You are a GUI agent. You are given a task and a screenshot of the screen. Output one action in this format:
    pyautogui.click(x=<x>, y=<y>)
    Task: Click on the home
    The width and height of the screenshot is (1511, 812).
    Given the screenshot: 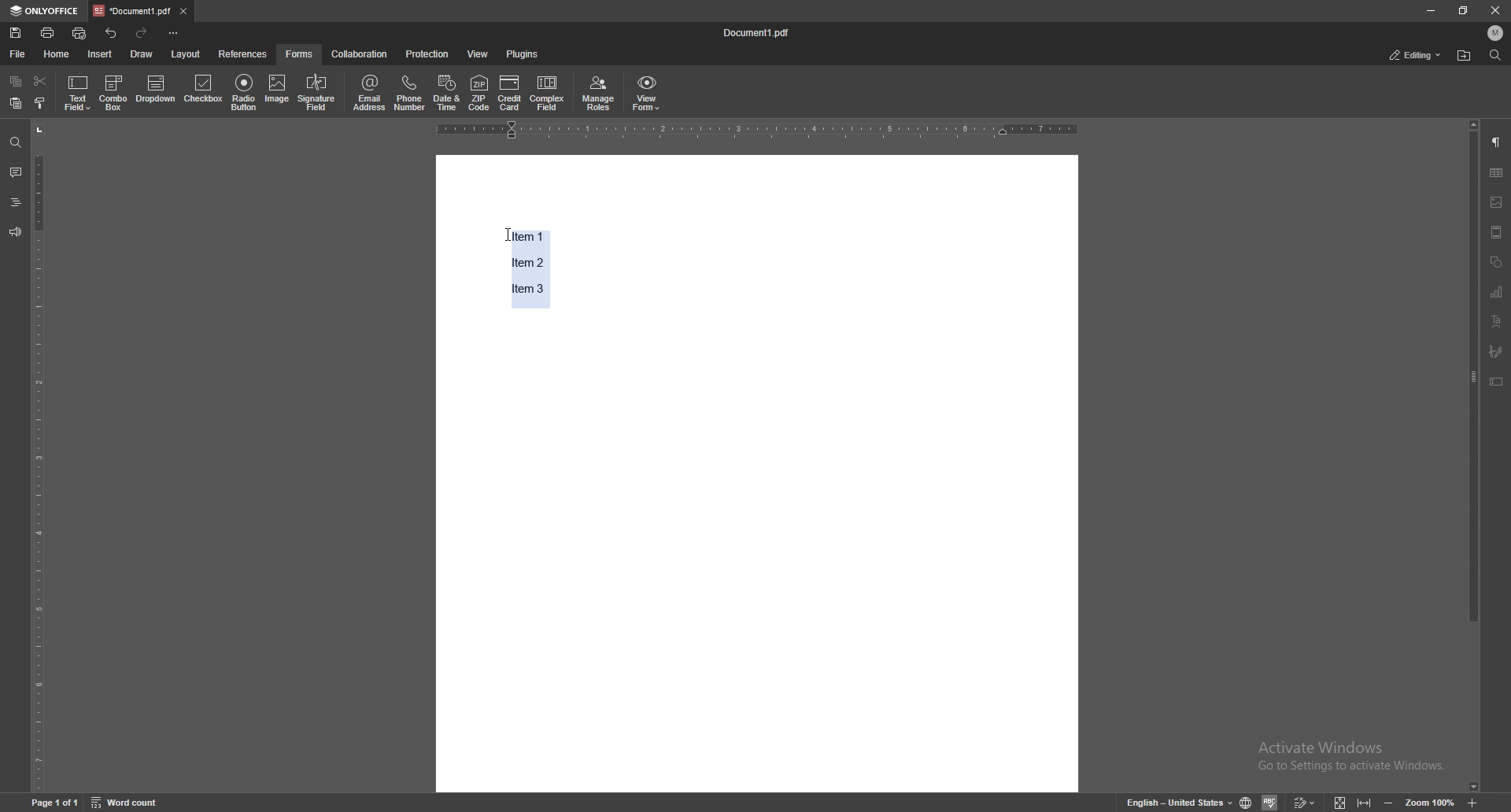 What is the action you would take?
    pyautogui.click(x=60, y=54)
    